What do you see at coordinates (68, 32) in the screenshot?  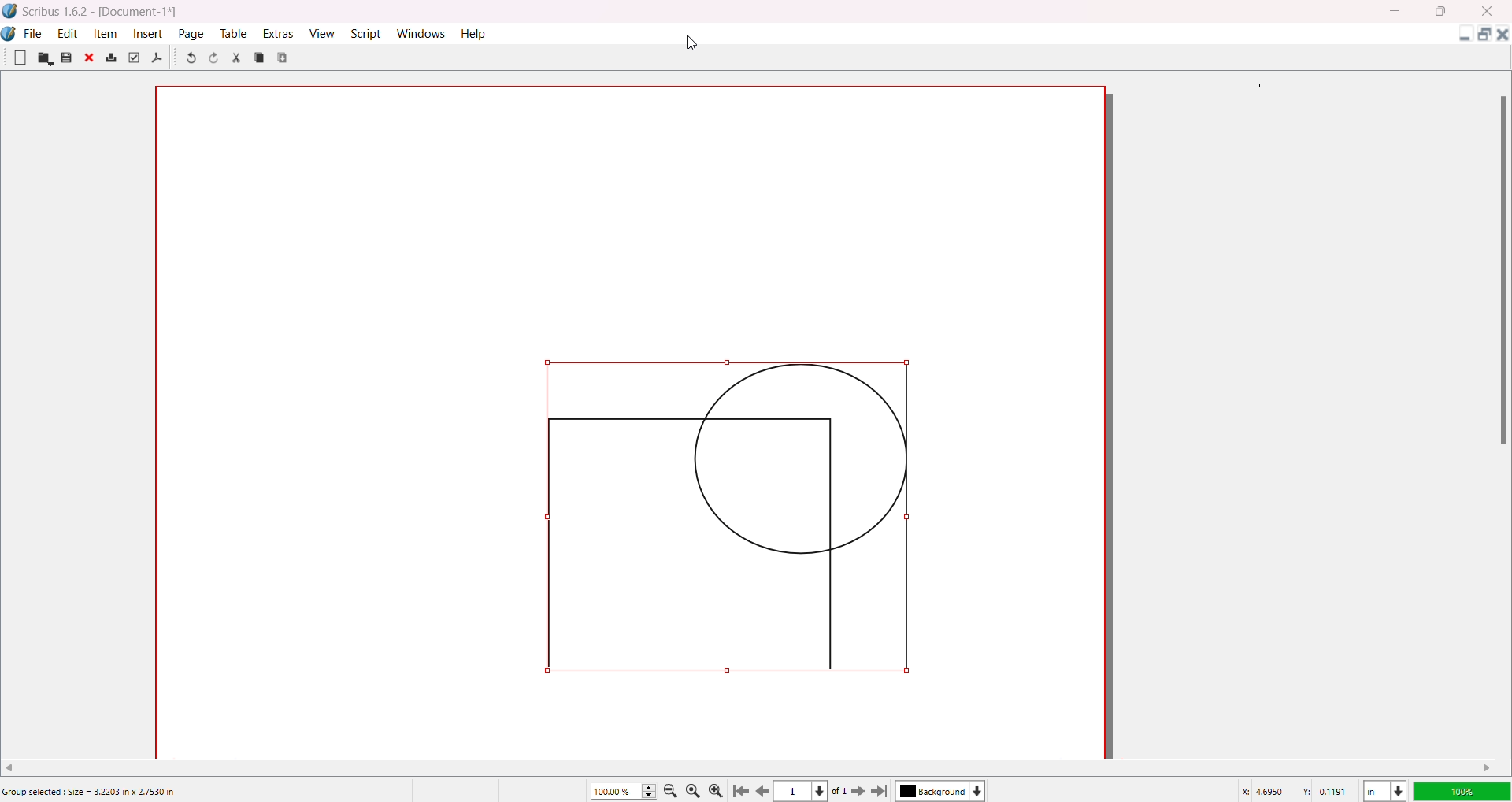 I see `Edit` at bounding box center [68, 32].